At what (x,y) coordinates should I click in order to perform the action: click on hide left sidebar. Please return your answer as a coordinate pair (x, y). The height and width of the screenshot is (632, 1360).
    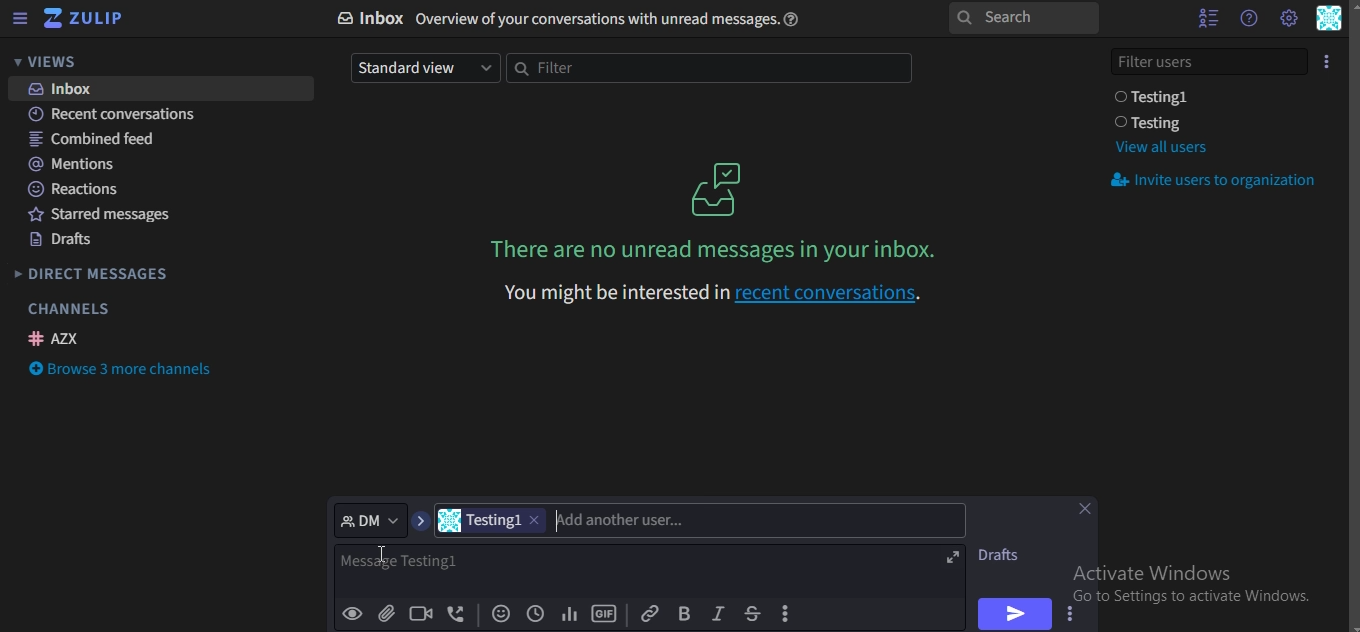
    Looking at the image, I should click on (20, 20).